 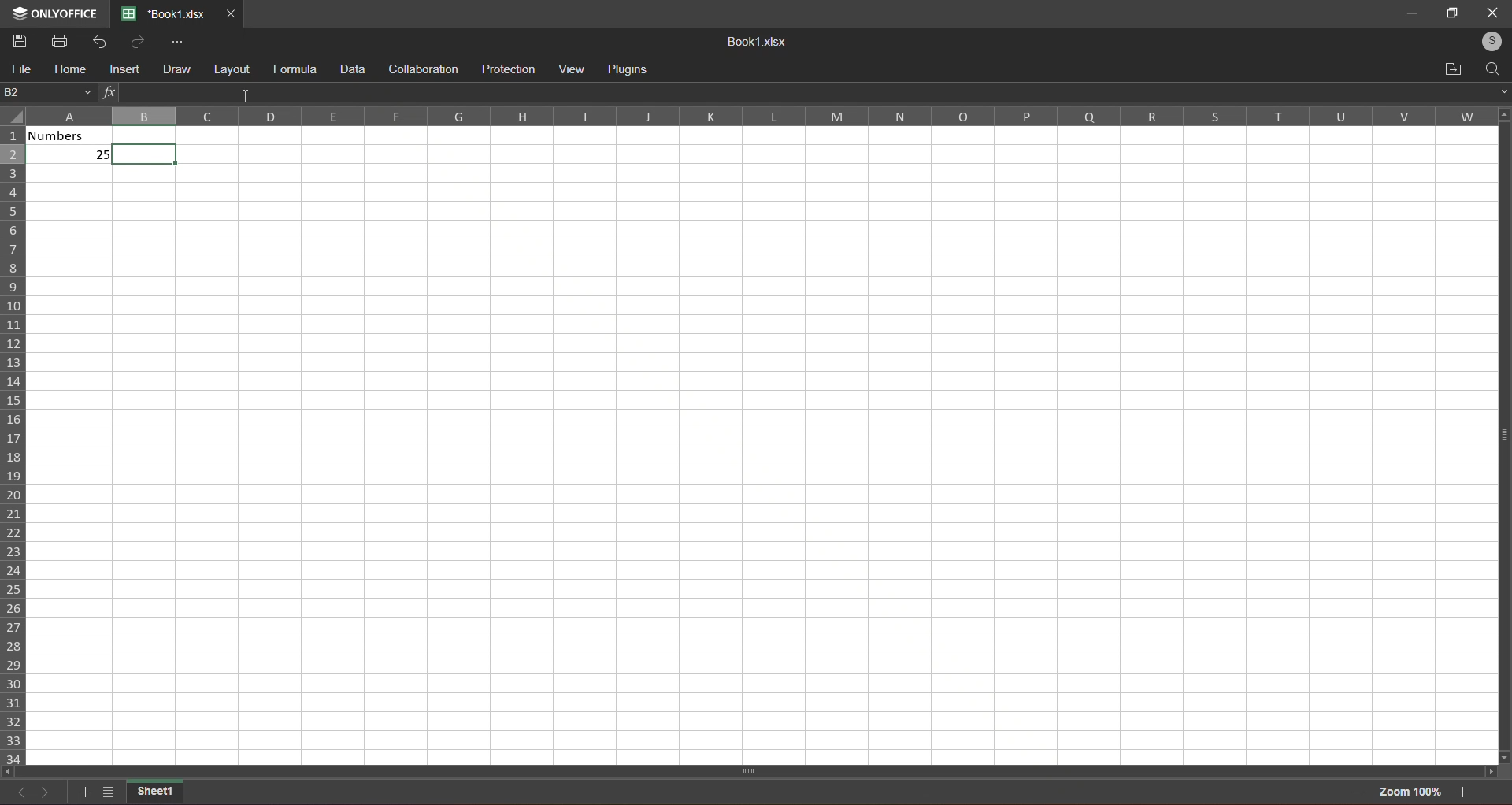 I want to click on scroll left, so click(x=13, y=768).